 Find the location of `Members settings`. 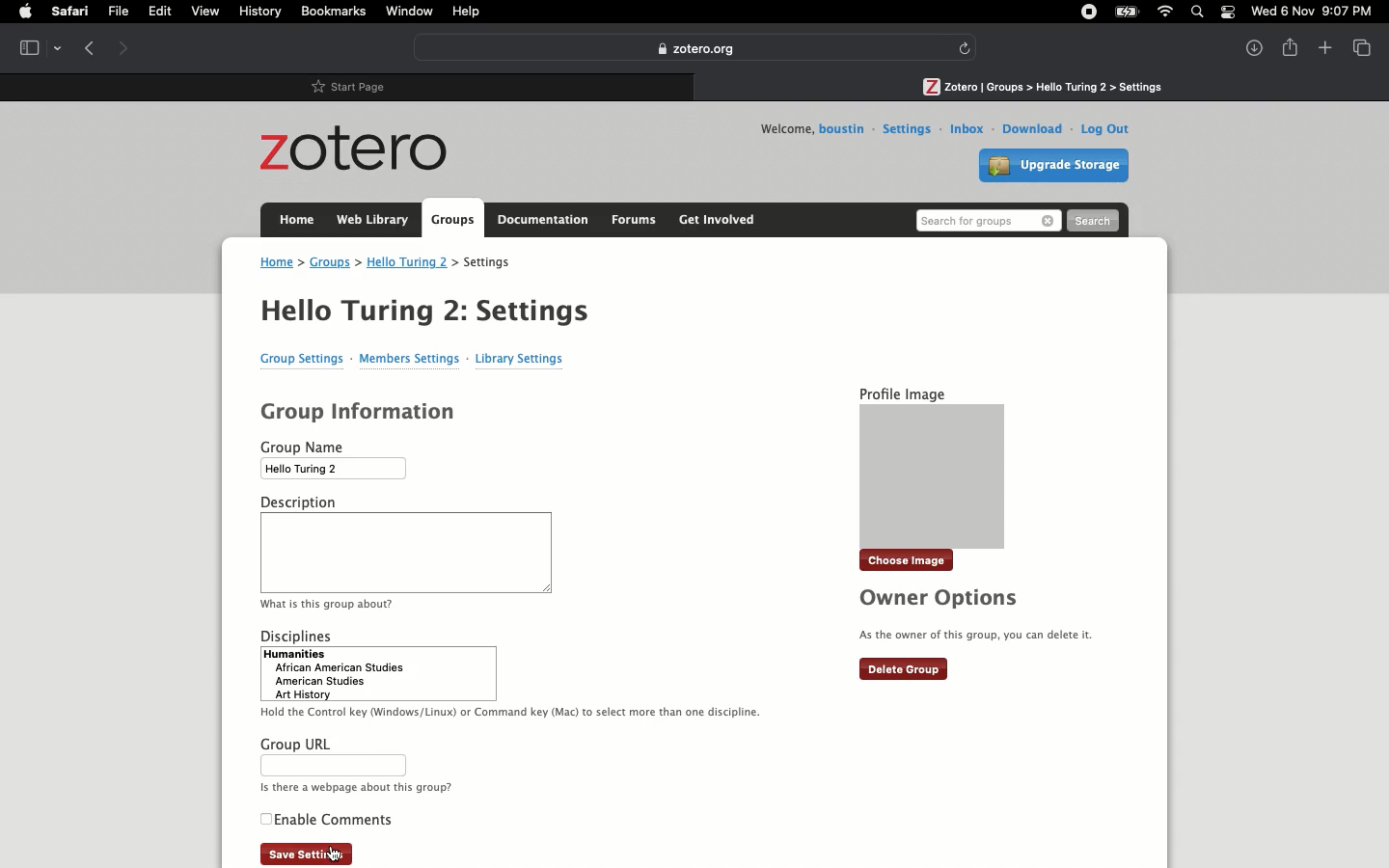

Members settings is located at coordinates (407, 359).